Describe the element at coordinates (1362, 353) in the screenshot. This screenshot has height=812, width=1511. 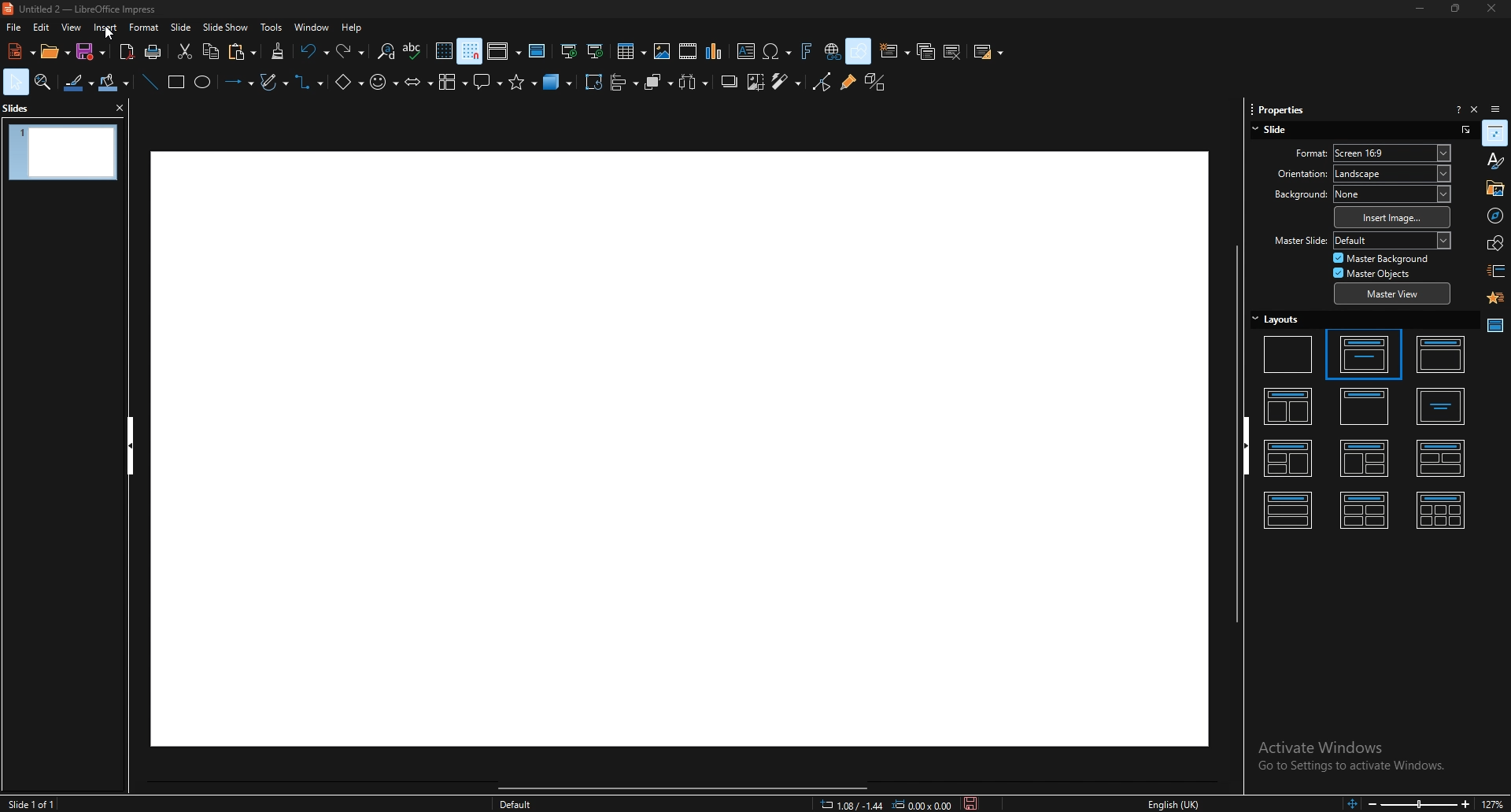
I see `title slide` at that location.